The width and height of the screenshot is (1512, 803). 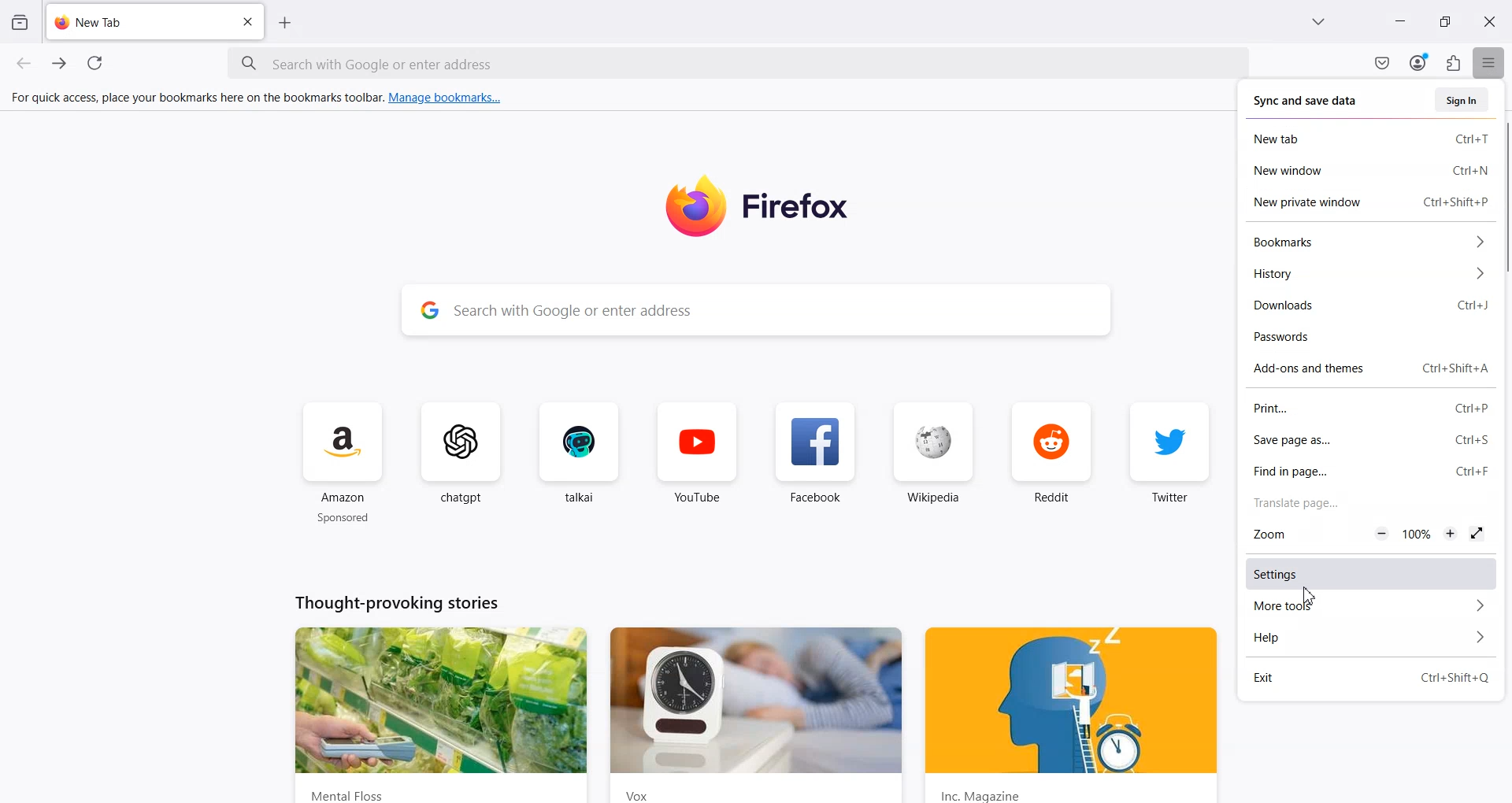 What do you see at coordinates (60, 64) in the screenshot?
I see `Forward` at bounding box center [60, 64].